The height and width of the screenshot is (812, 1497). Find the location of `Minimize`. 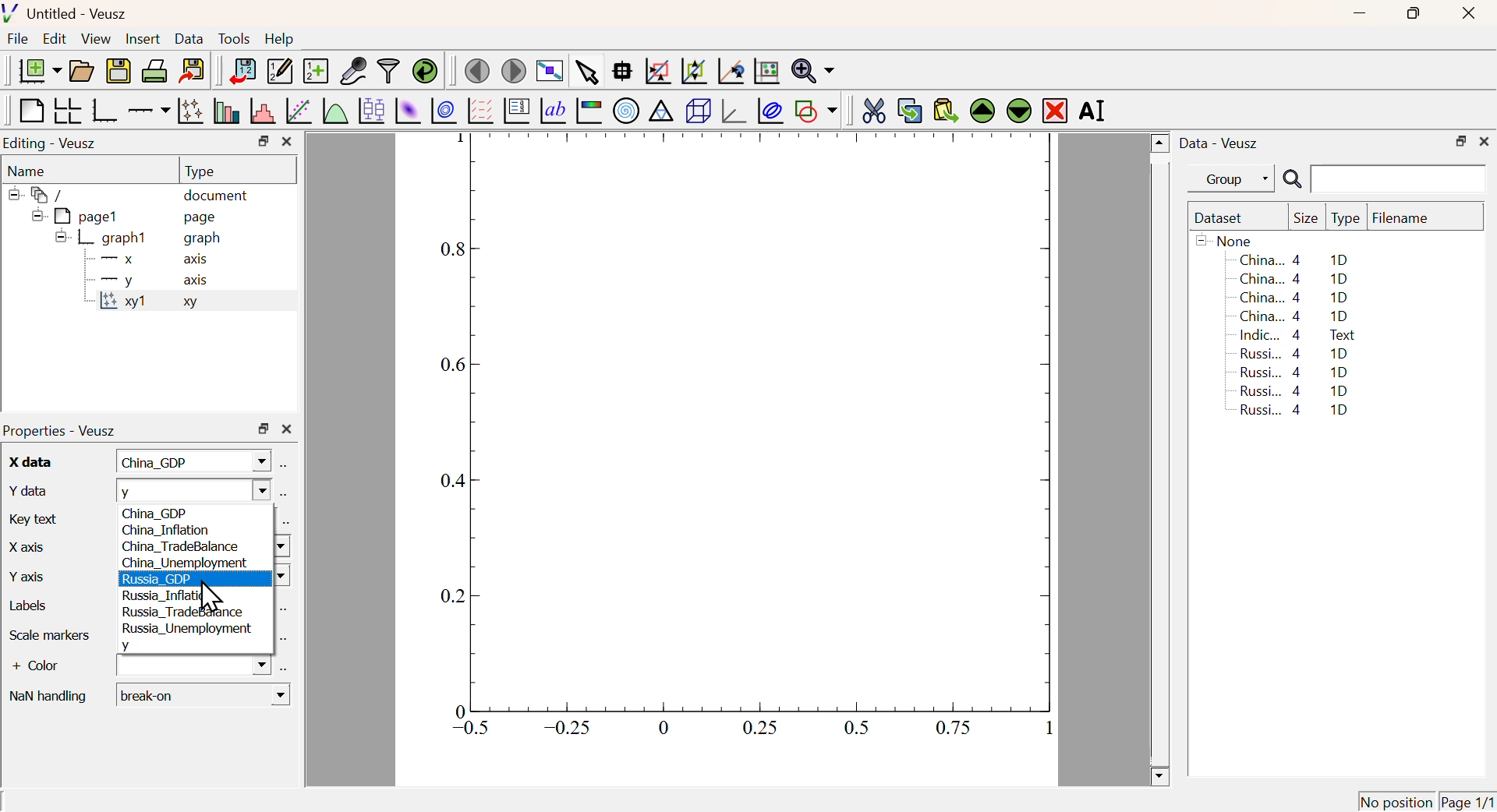

Minimize is located at coordinates (1360, 14).